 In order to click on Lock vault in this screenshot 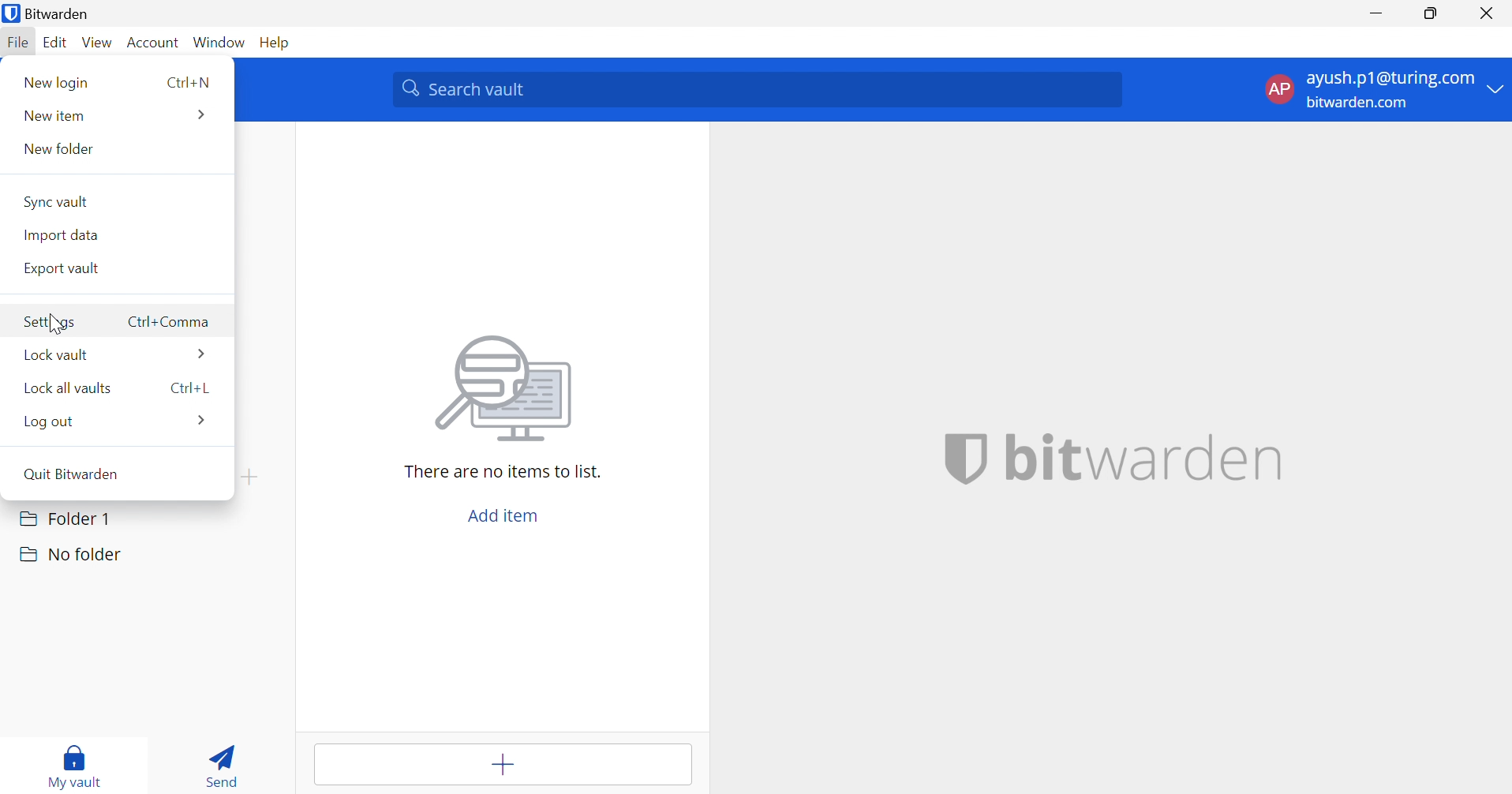, I will do `click(58, 356)`.